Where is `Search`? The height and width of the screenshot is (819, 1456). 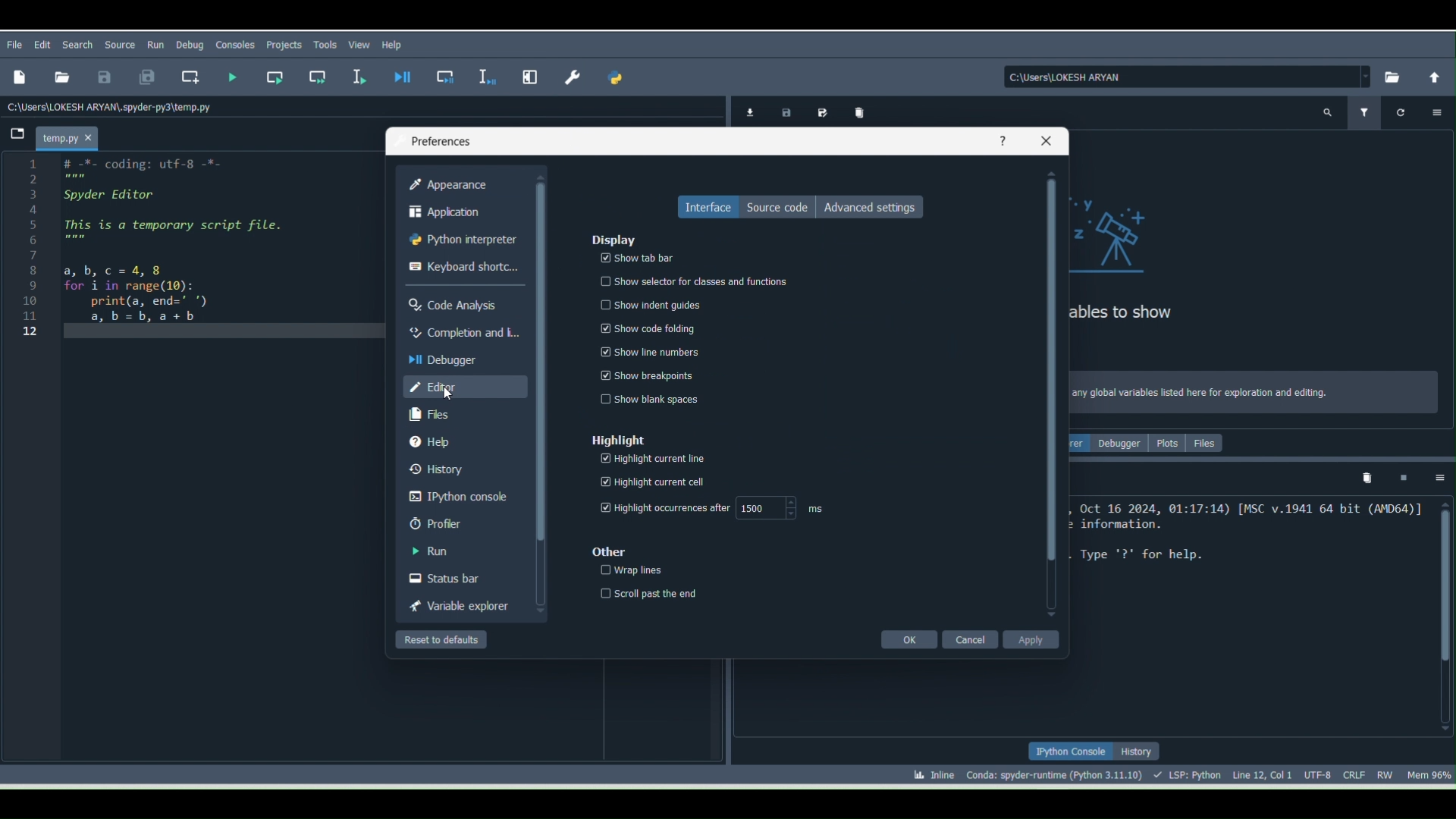 Search is located at coordinates (76, 43).